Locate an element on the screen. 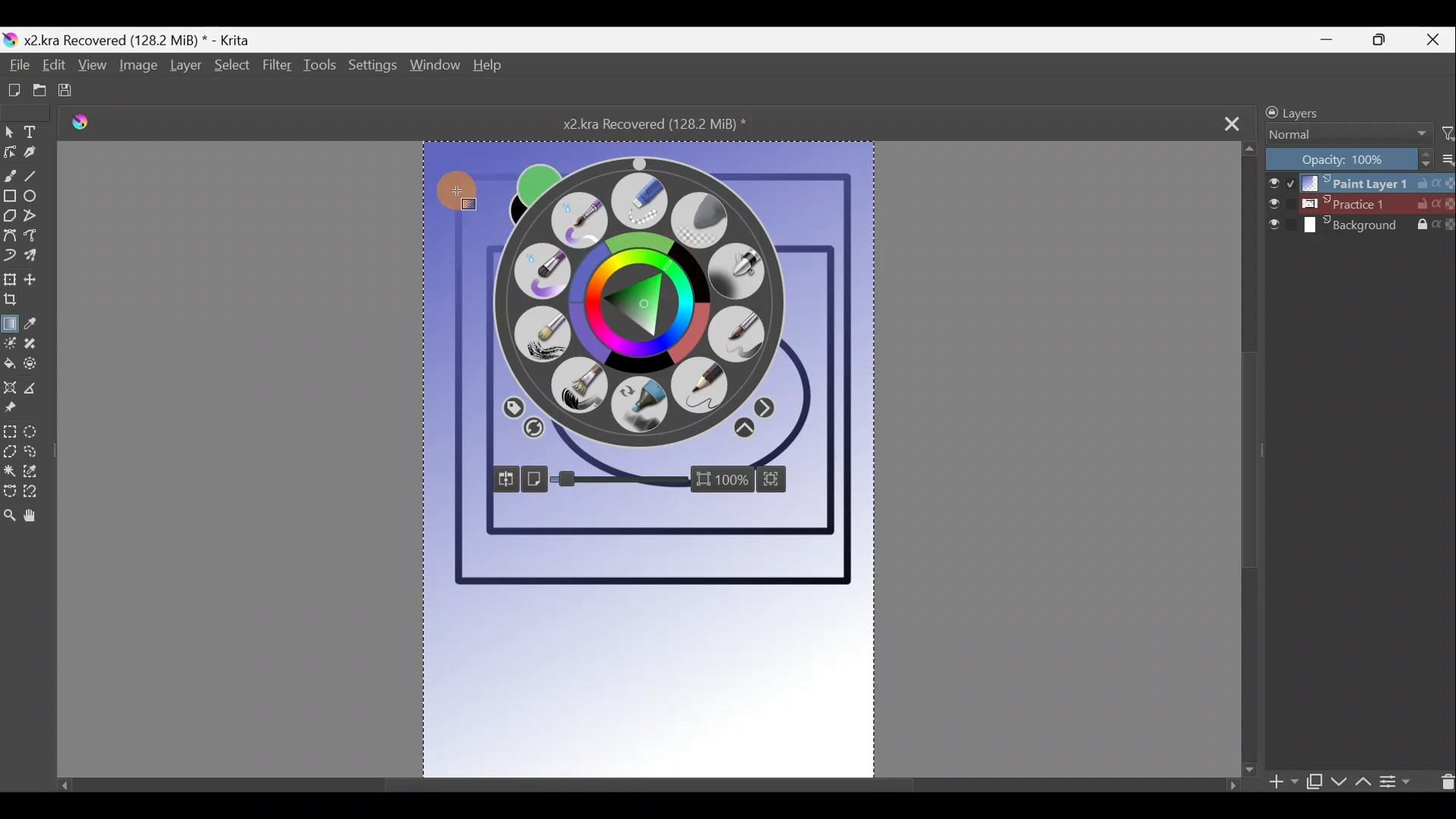  Move a layer is located at coordinates (38, 279).